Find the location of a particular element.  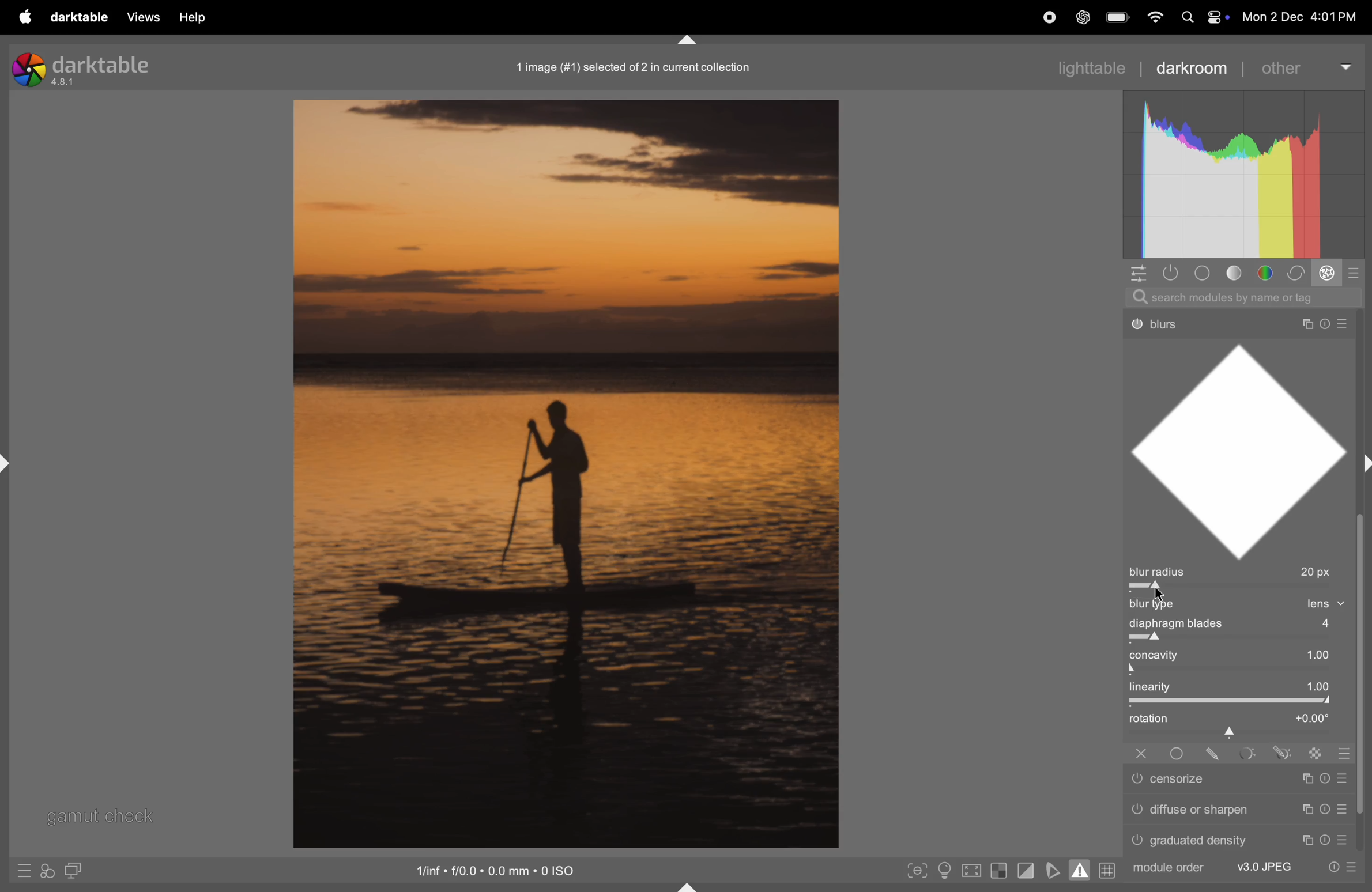

effect is located at coordinates (1329, 273).